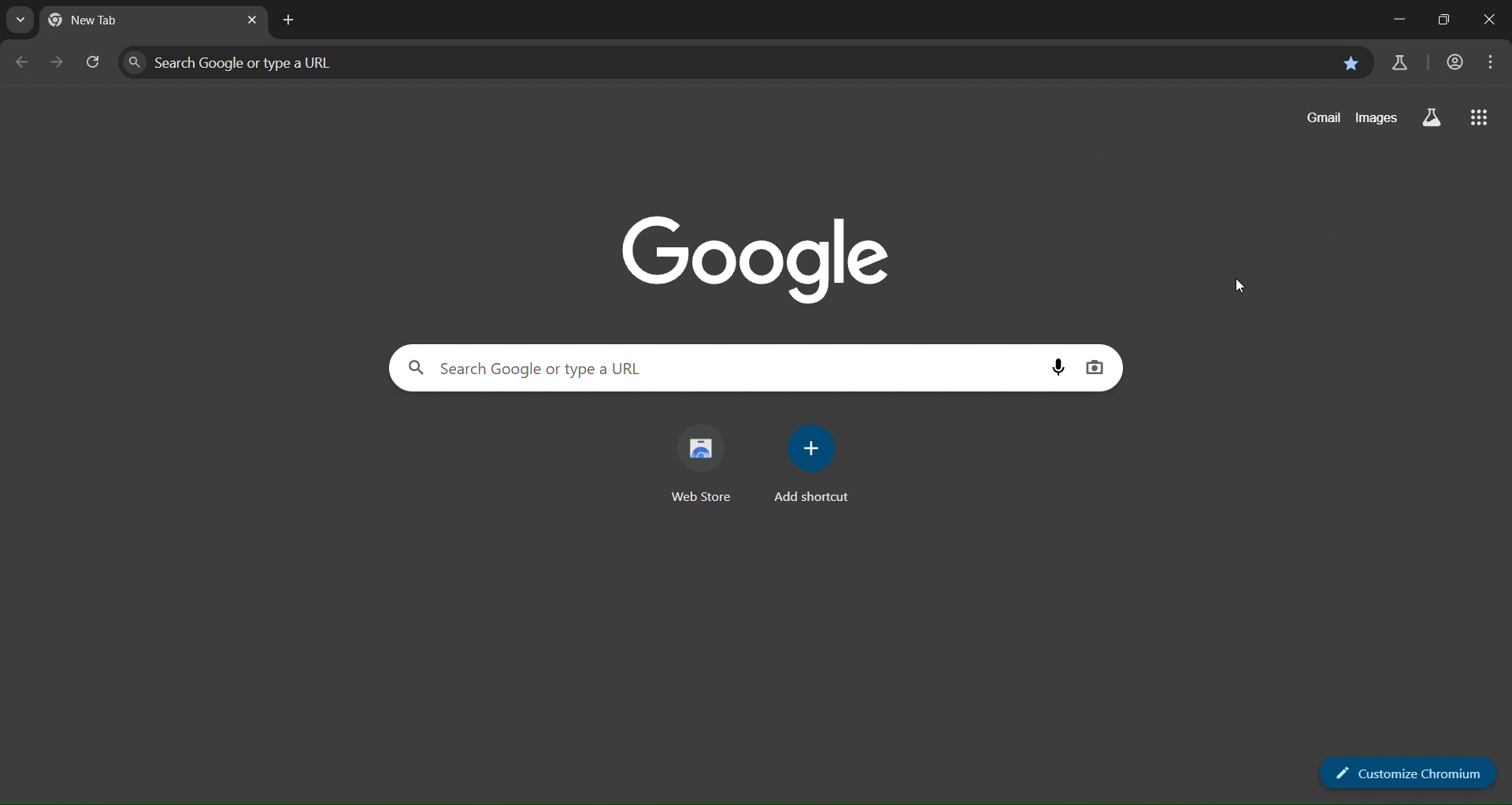  What do you see at coordinates (1353, 61) in the screenshot?
I see `bookmark this page` at bounding box center [1353, 61].